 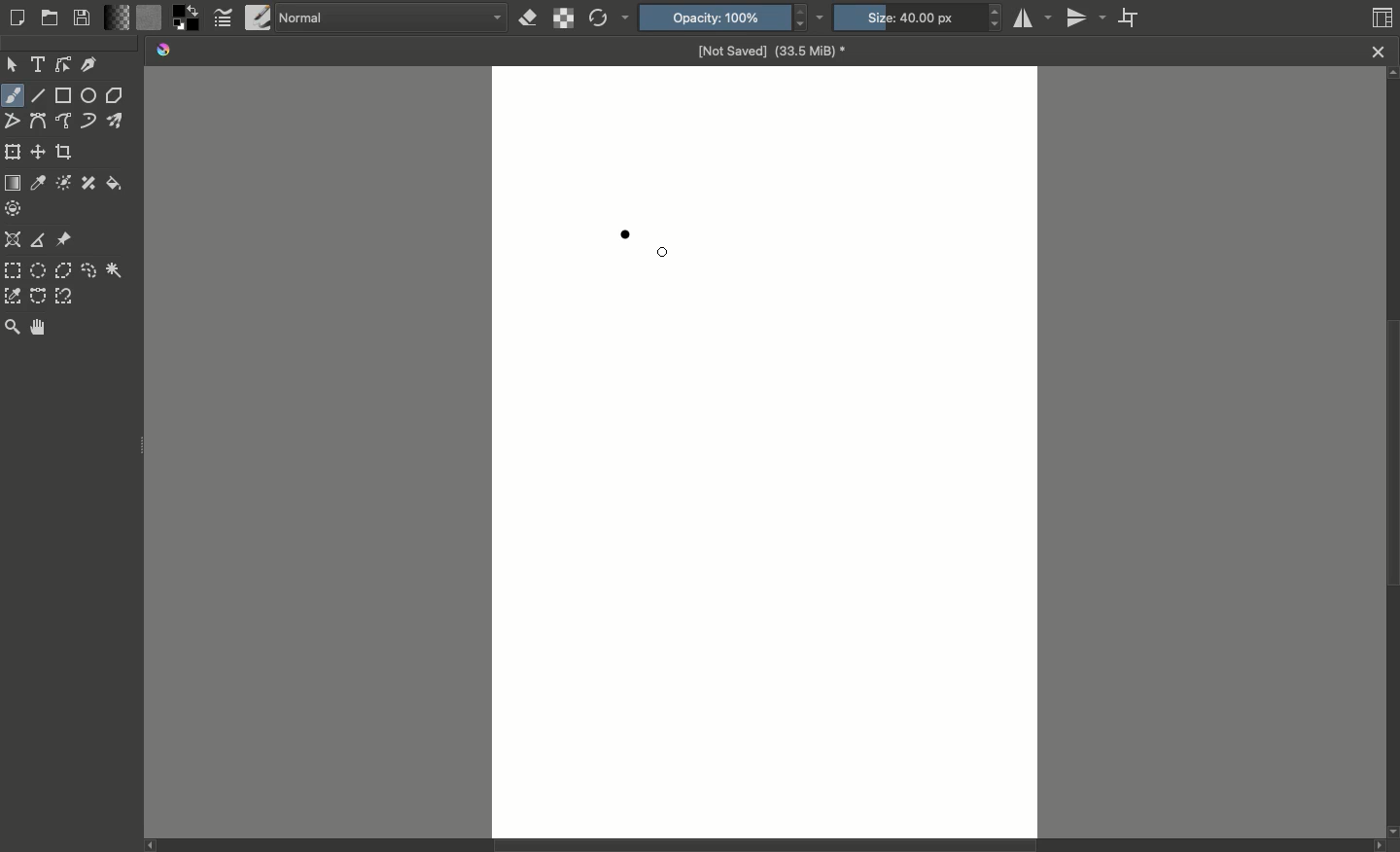 I want to click on Opacity, so click(x=736, y=18).